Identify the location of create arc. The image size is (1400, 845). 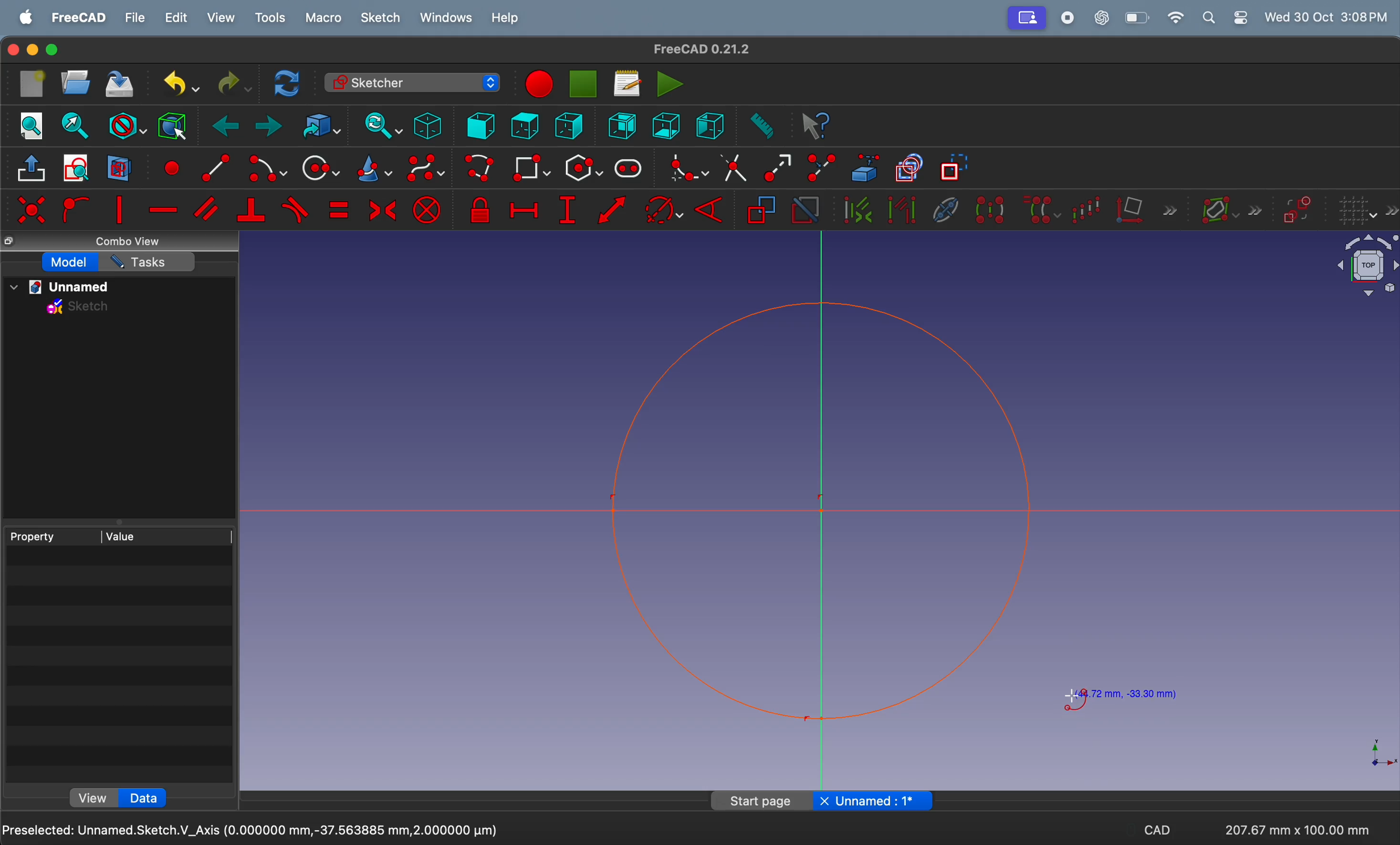
(211, 166).